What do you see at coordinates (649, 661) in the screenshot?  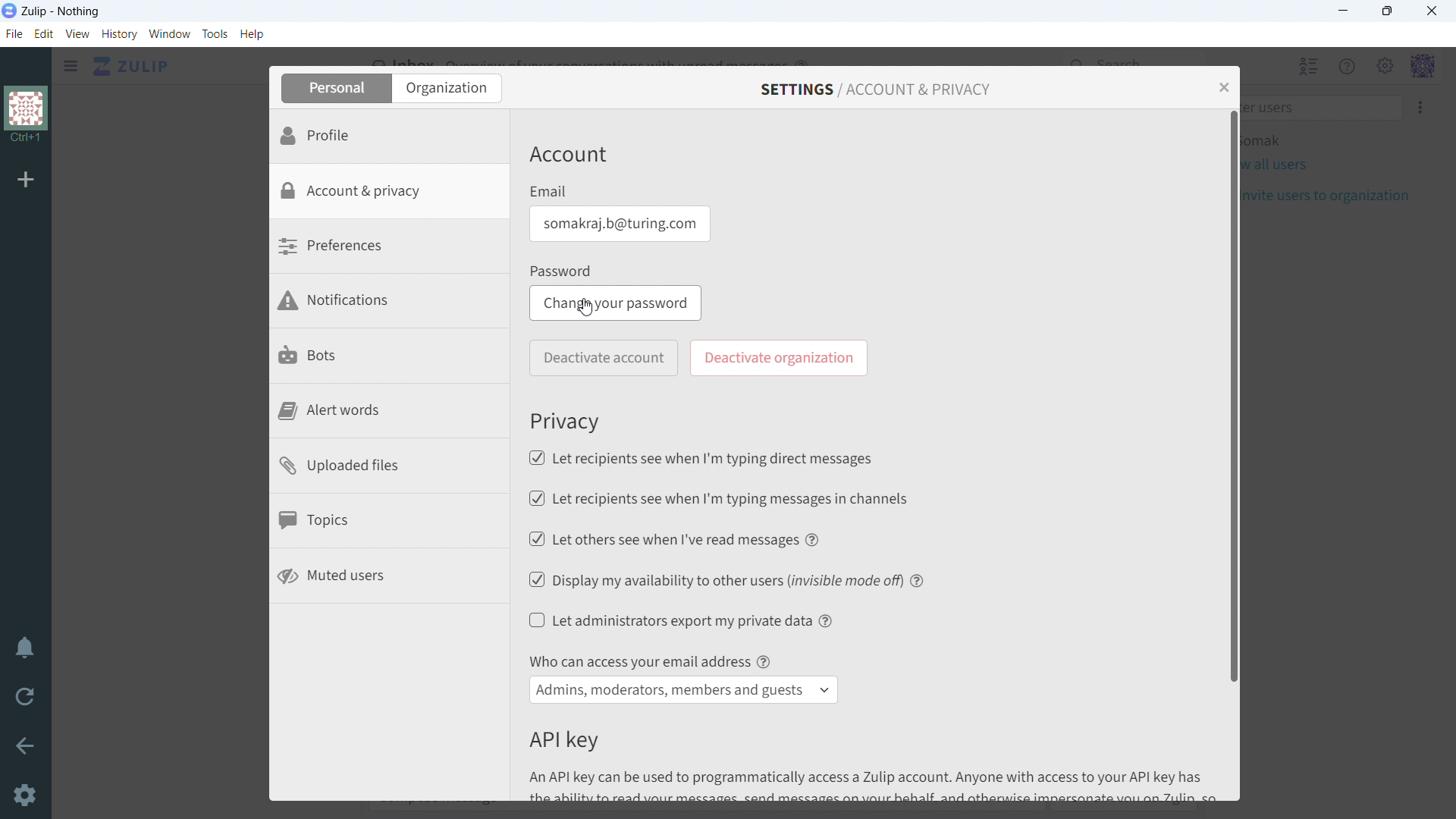 I see `Who can access your email address @` at bounding box center [649, 661].